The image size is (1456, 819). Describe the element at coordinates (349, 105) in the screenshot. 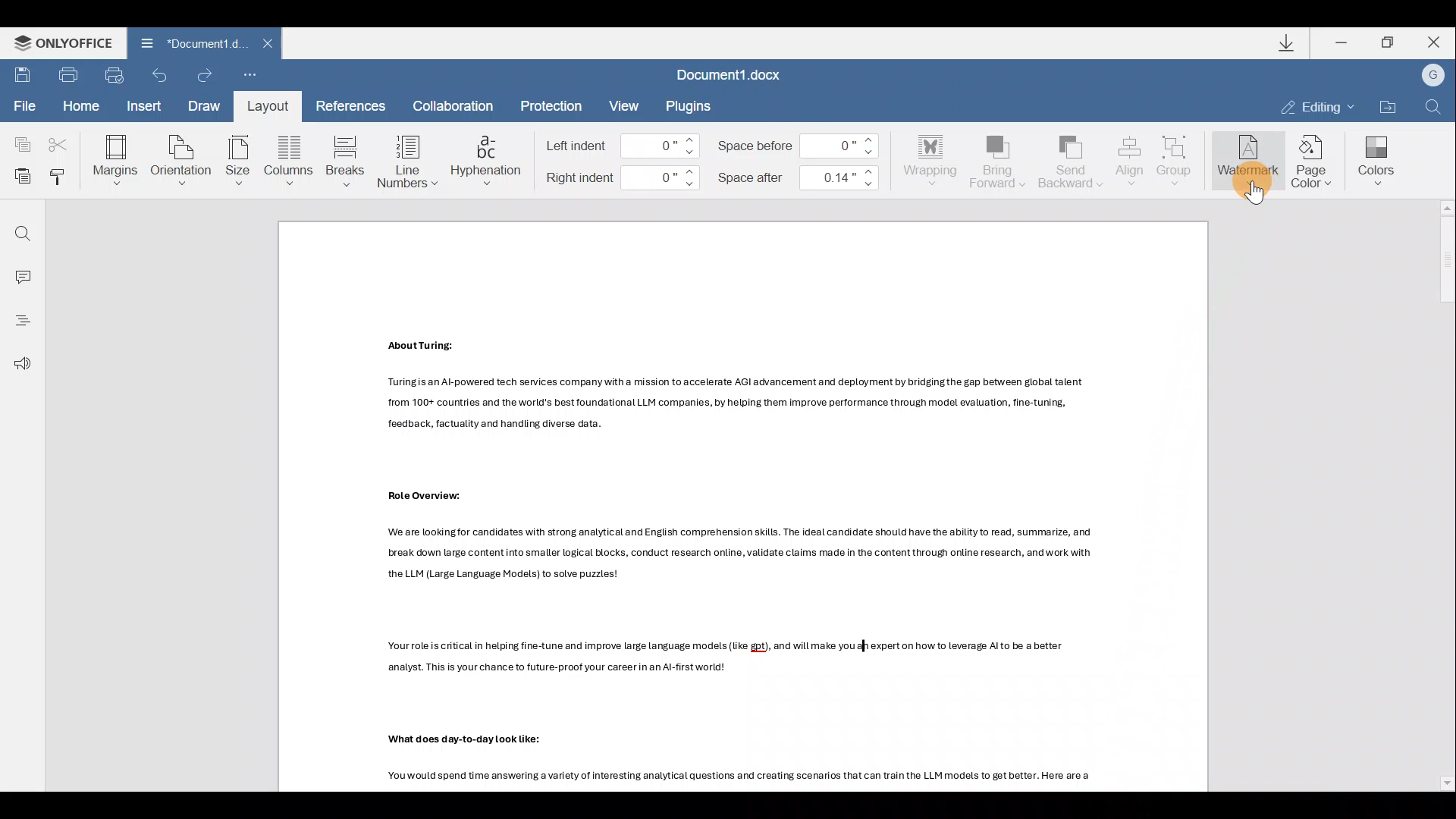

I see `References` at that location.